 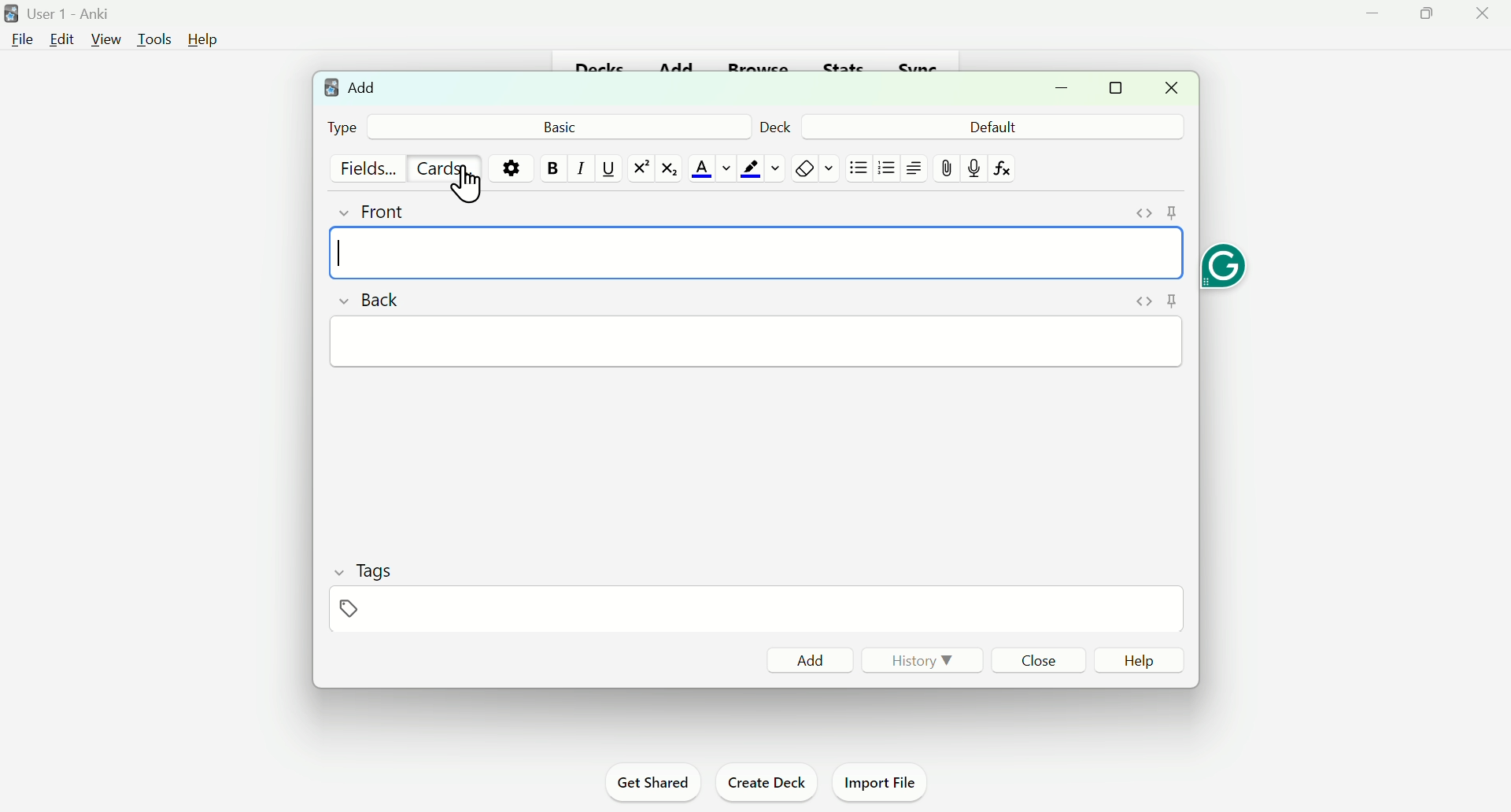 I want to click on Front, so click(x=371, y=211).